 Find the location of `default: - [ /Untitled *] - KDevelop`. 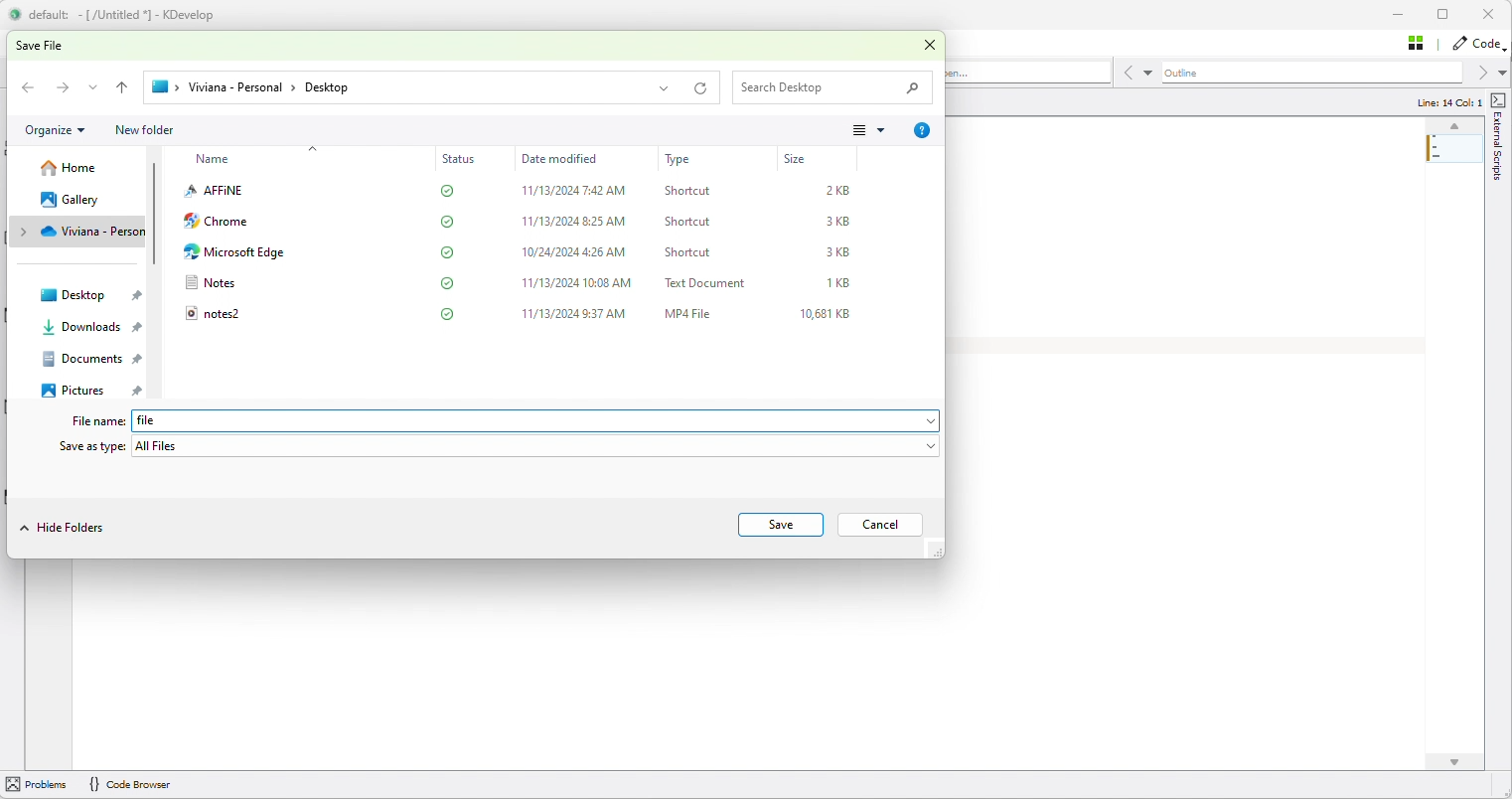

default: - [ /Untitled *] - KDevelop is located at coordinates (136, 14).